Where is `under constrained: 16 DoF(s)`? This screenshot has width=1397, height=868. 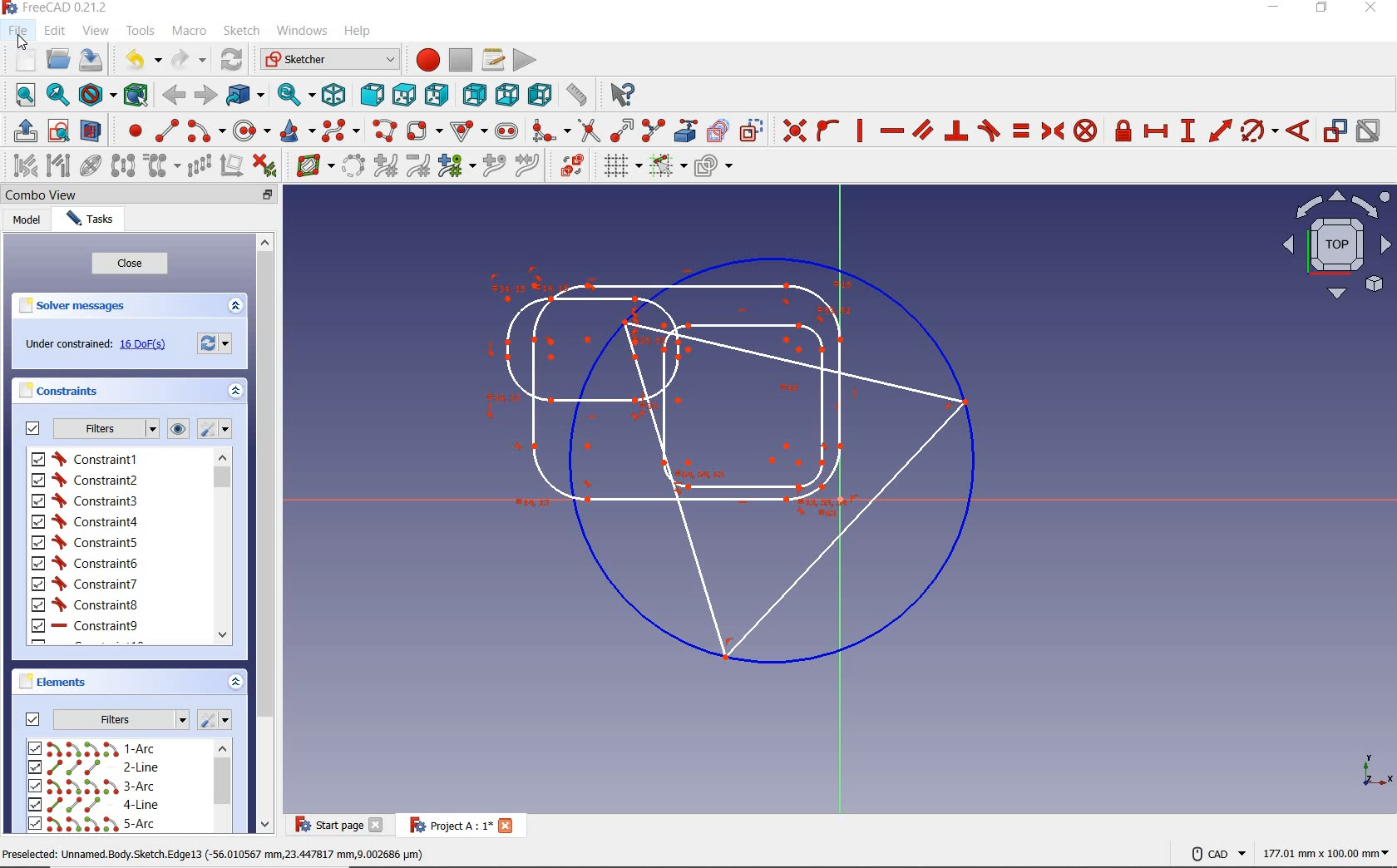 under constrained: 16 DoF(s) is located at coordinates (94, 344).